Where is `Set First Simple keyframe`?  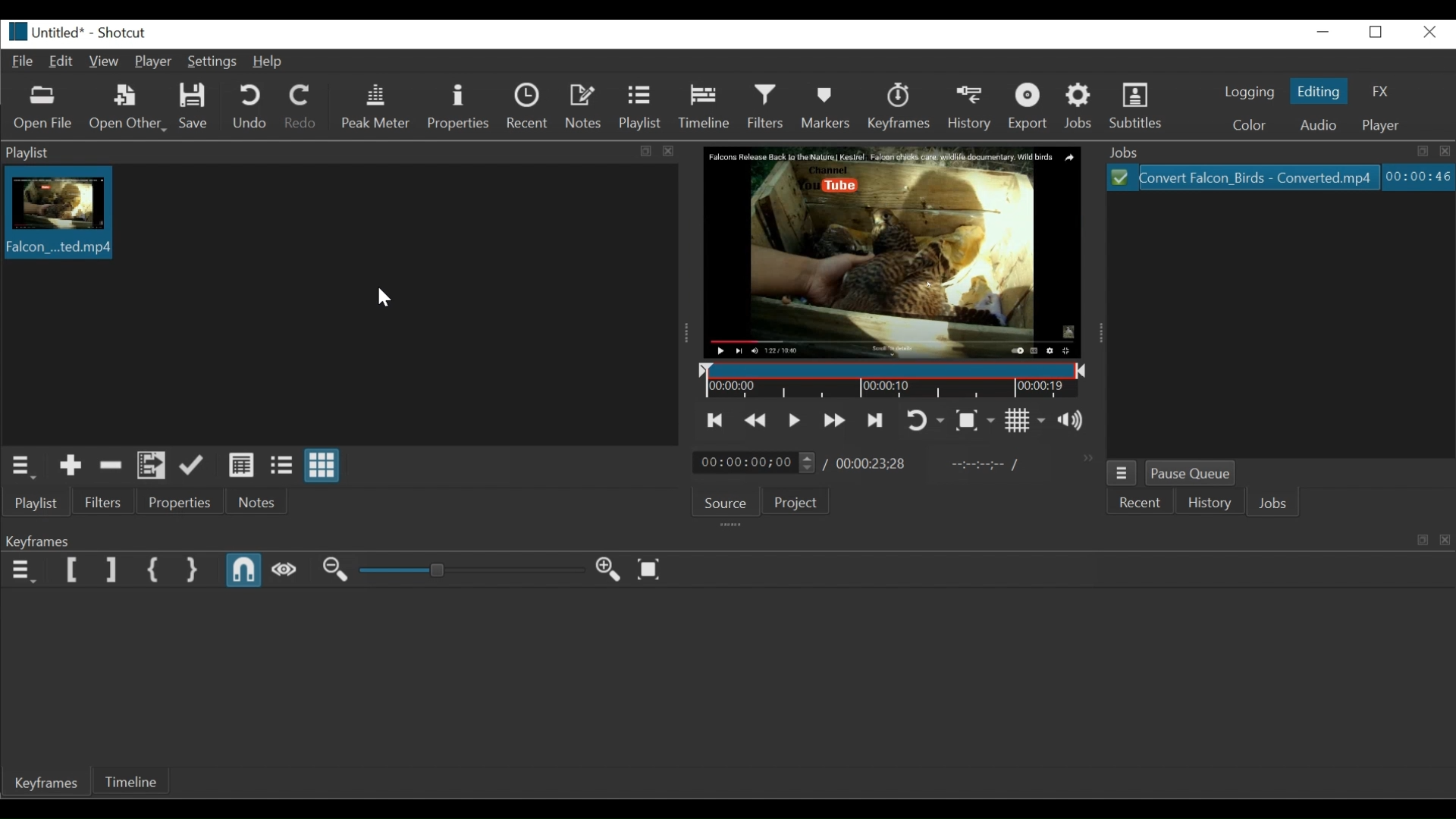 Set First Simple keyframe is located at coordinates (156, 570).